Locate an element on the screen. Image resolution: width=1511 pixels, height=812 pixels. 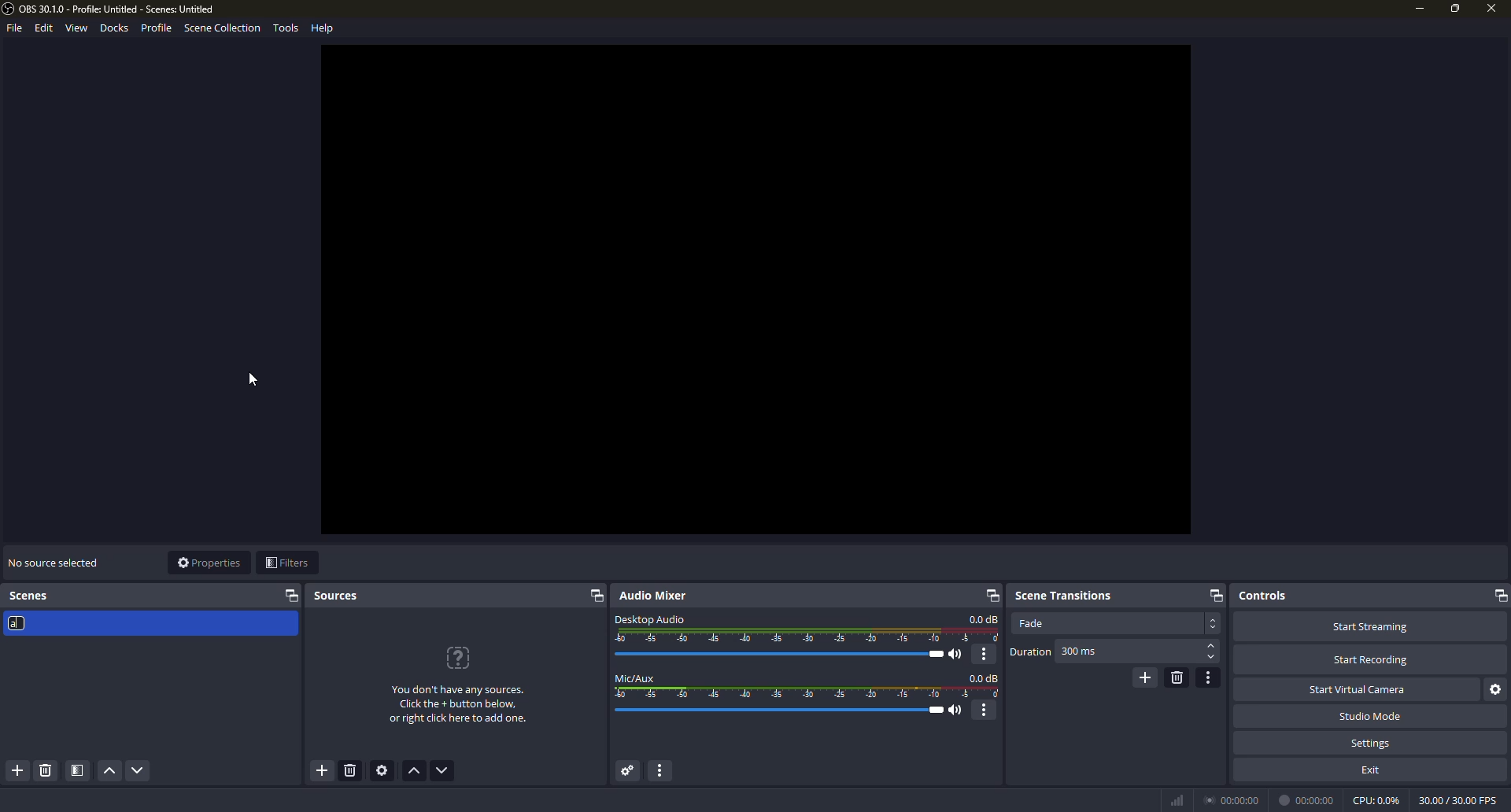
profile is located at coordinates (156, 28).